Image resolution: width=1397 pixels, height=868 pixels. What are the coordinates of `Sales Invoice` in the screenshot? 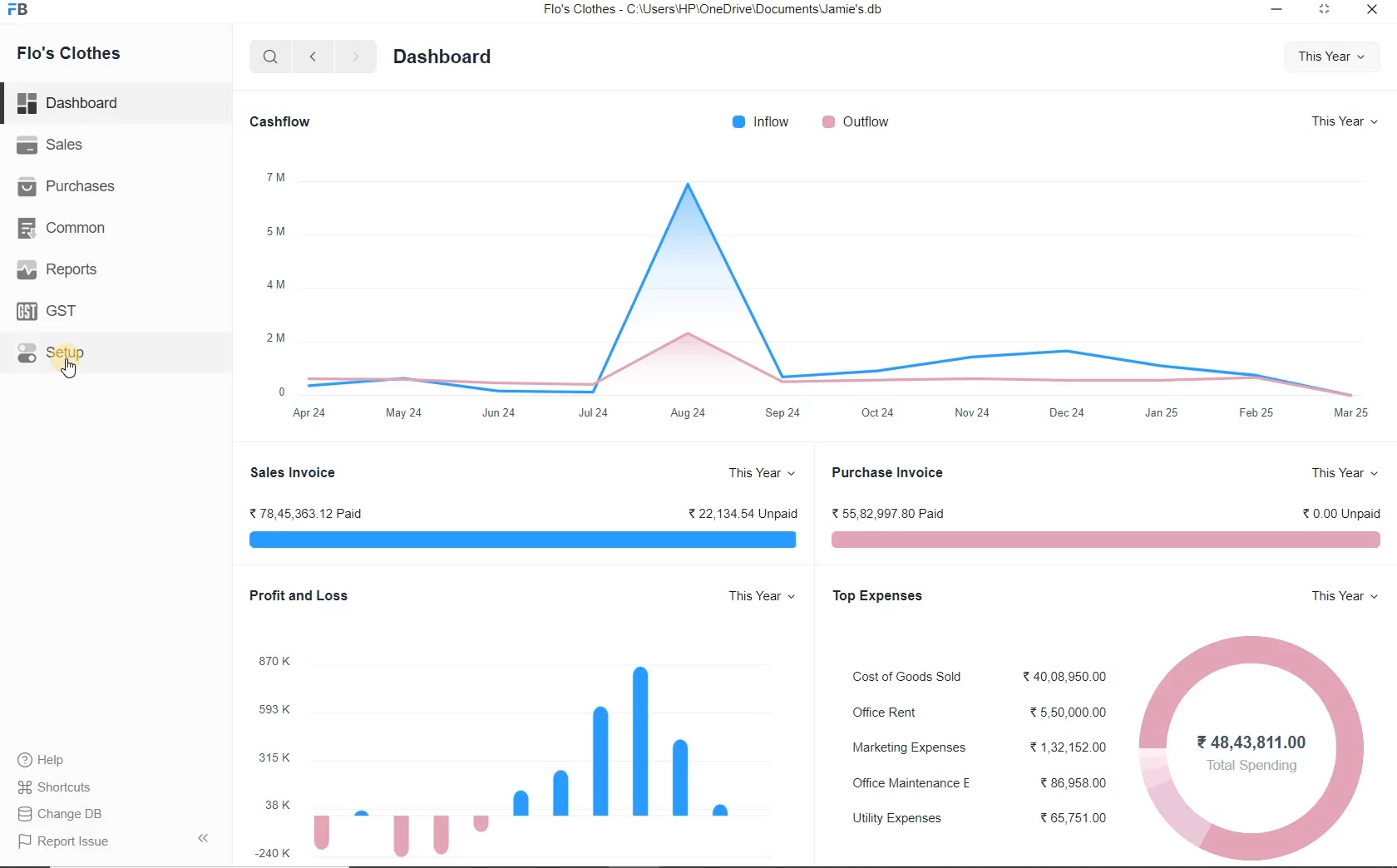 It's located at (293, 471).